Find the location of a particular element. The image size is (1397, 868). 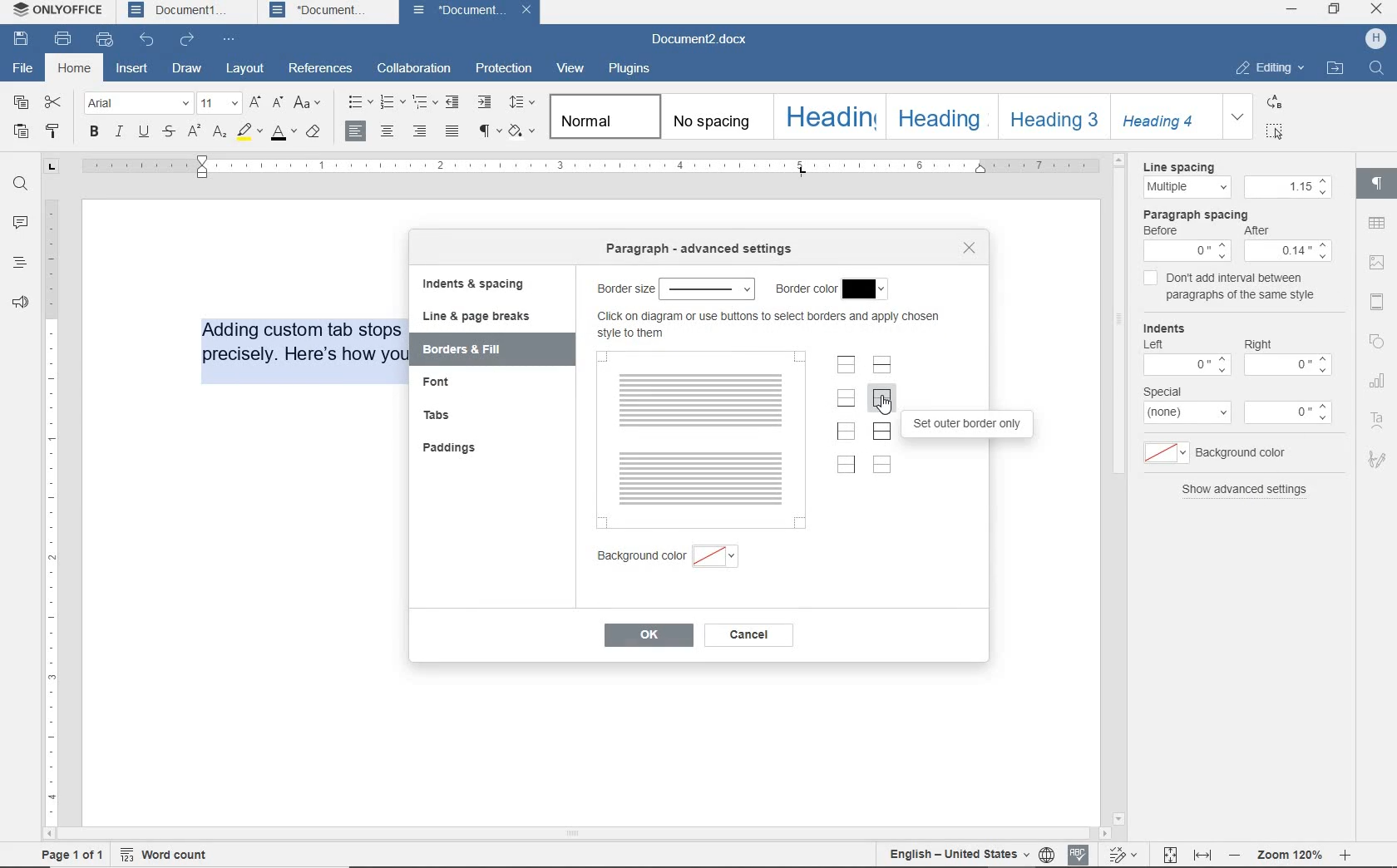

border size is located at coordinates (706, 249).